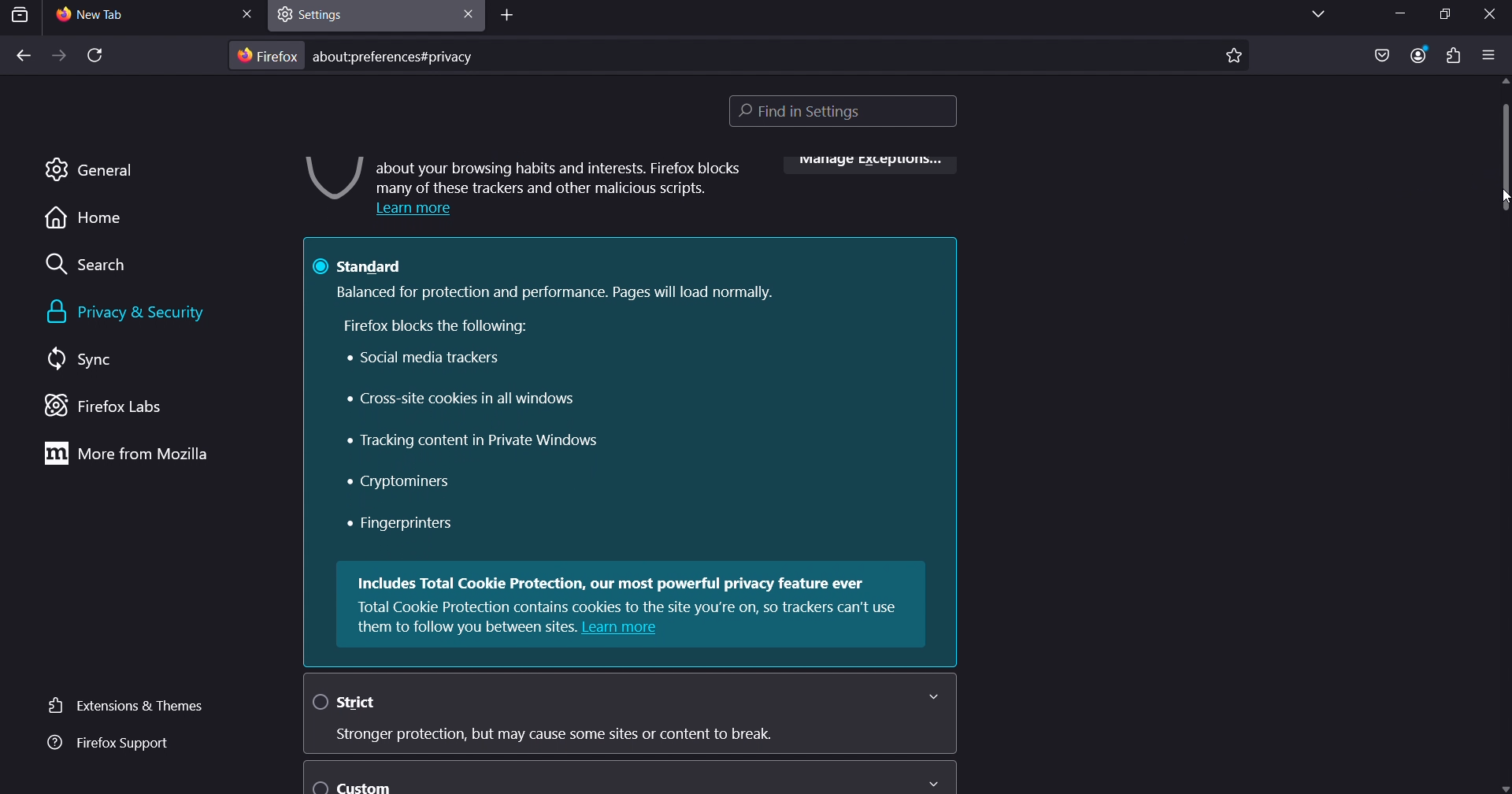  What do you see at coordinates (416, 209) in the screenshot?
I see `Learn more` at bounding box center [416, 209].